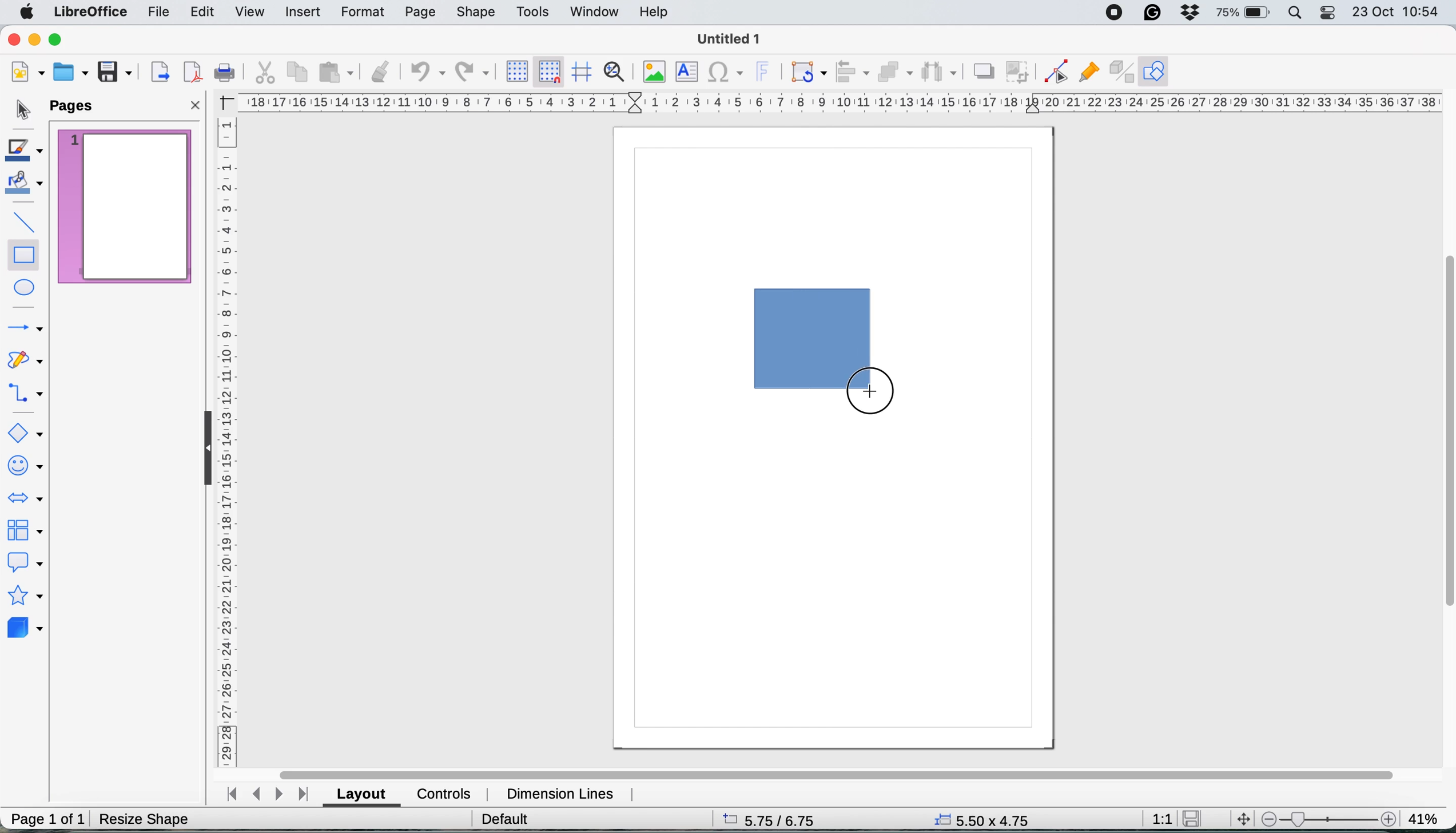 The width and height of the screenshot is (1456, 833). I want to click on shape, so click(477, 13).